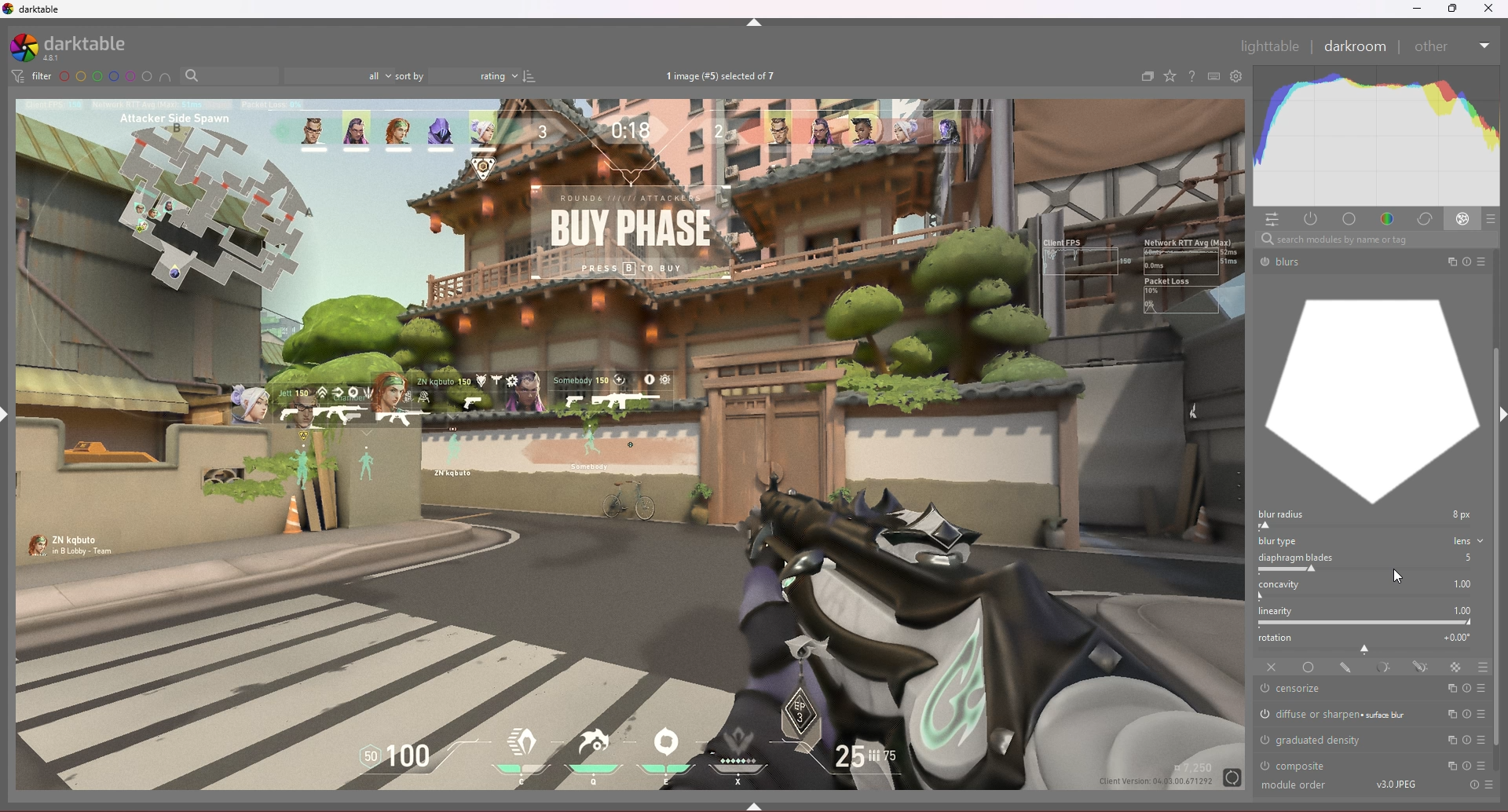  Describe the element at coordinates (1389, 219) in the screenshot. I see `color` at that location.